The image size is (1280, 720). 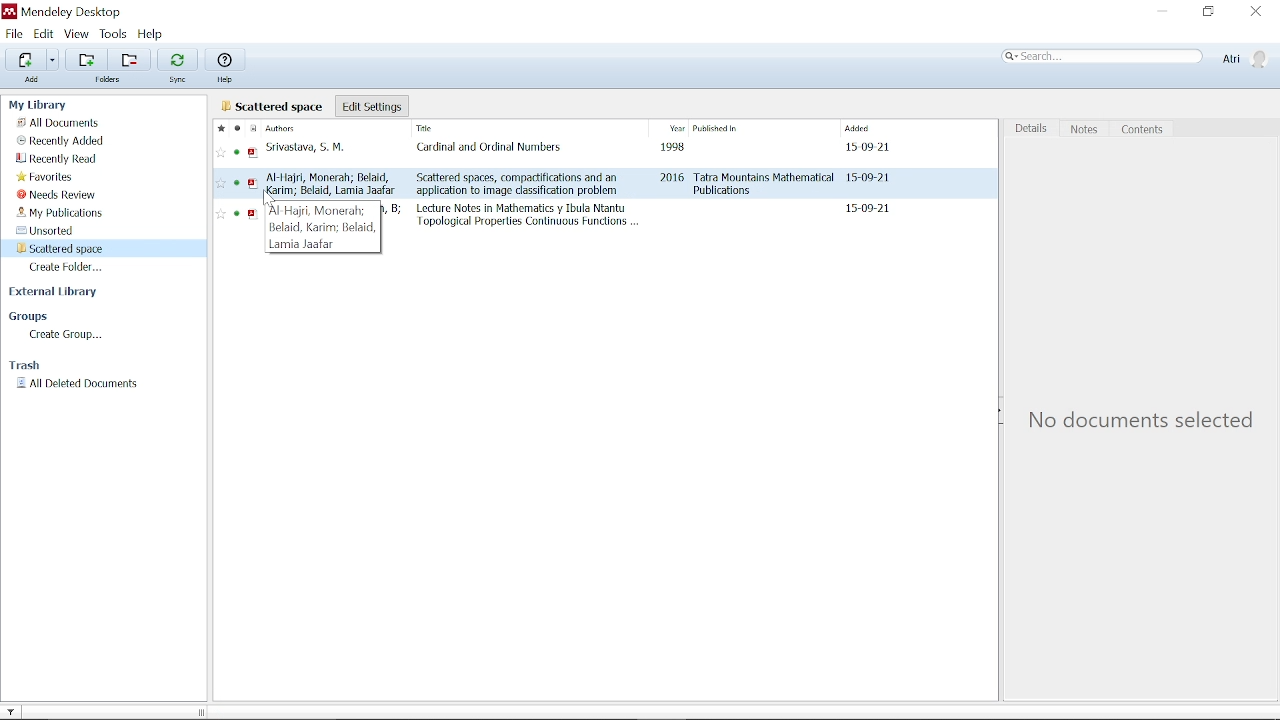 What do you see at coordinates (1102, 57) in the screenshot?
I see `Search` at bounding box center [1102, 57].